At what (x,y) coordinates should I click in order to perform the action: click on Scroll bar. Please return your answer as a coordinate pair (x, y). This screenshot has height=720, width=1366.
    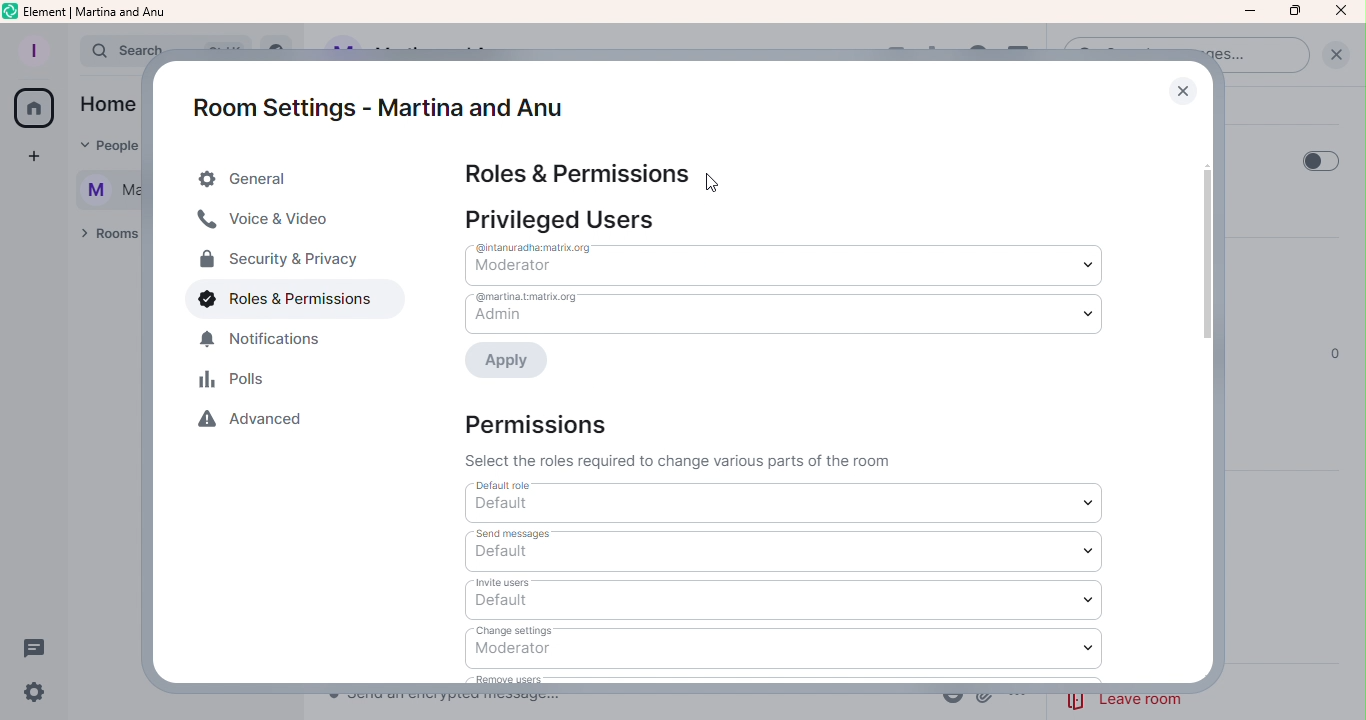
    Looking at the image, I should click on (1213, 396).